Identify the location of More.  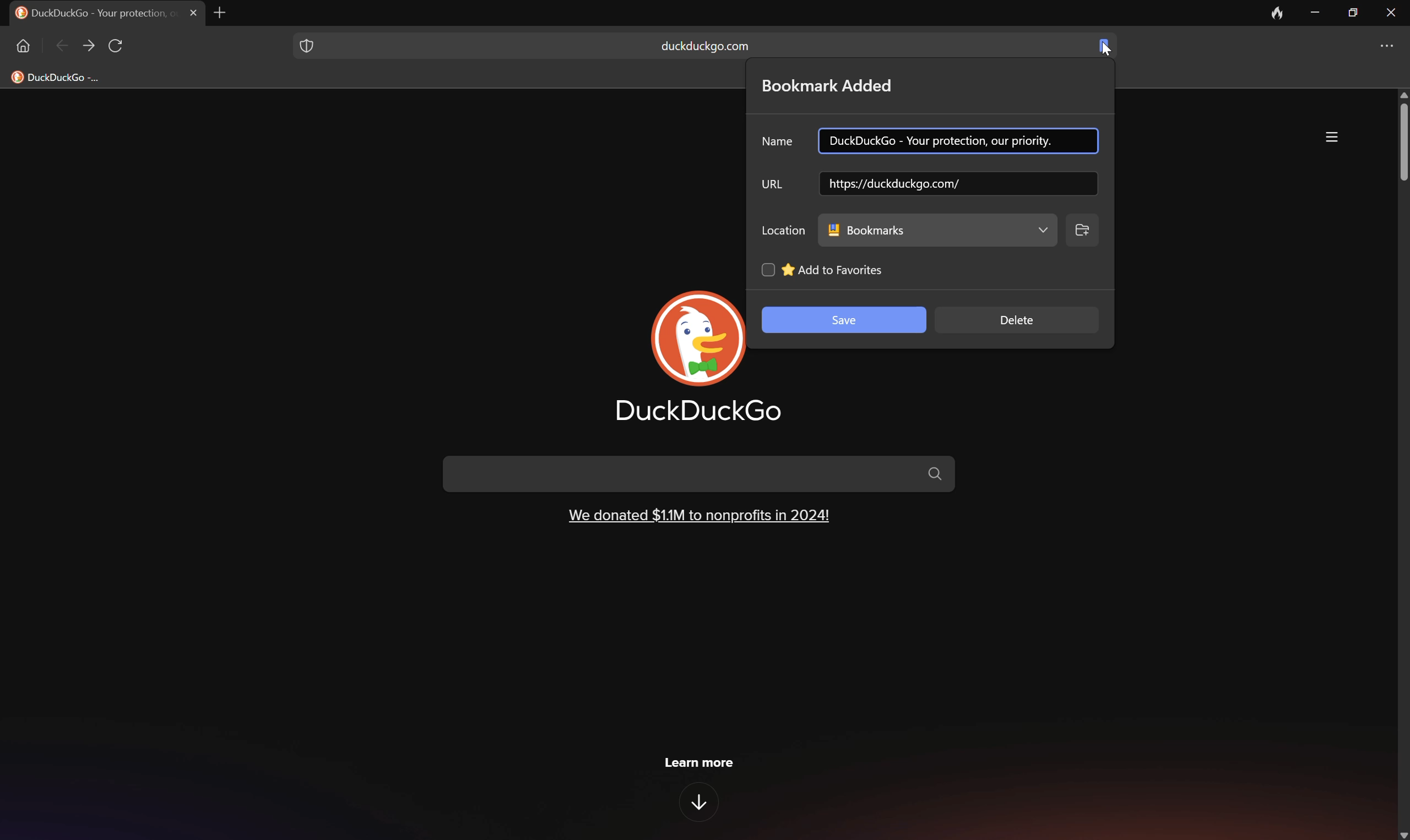
(1332, 137).